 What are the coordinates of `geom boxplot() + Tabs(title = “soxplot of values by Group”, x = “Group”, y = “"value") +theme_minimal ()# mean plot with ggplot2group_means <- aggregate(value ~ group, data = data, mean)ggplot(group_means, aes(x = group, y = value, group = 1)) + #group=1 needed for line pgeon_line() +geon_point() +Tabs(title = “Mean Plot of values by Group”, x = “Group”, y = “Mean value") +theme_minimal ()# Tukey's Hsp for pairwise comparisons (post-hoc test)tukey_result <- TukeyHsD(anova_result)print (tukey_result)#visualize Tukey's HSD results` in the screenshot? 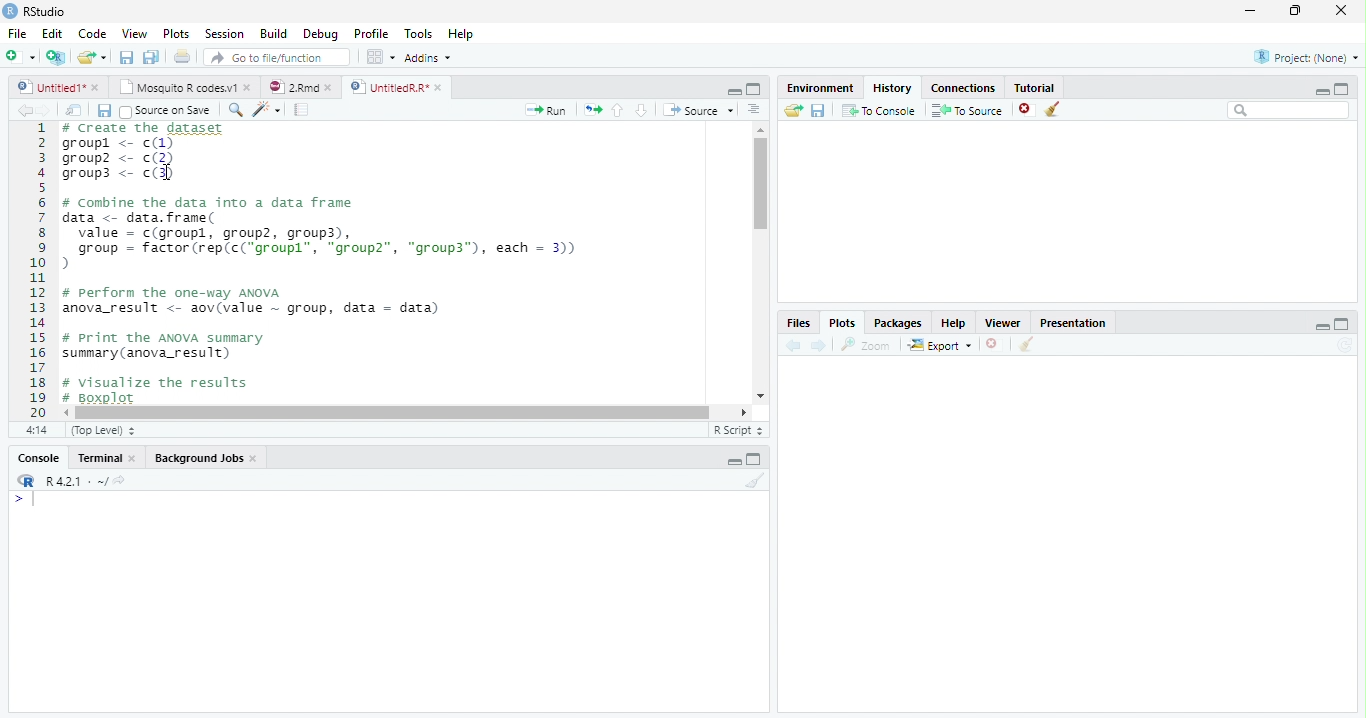 It's located at (400, 264).